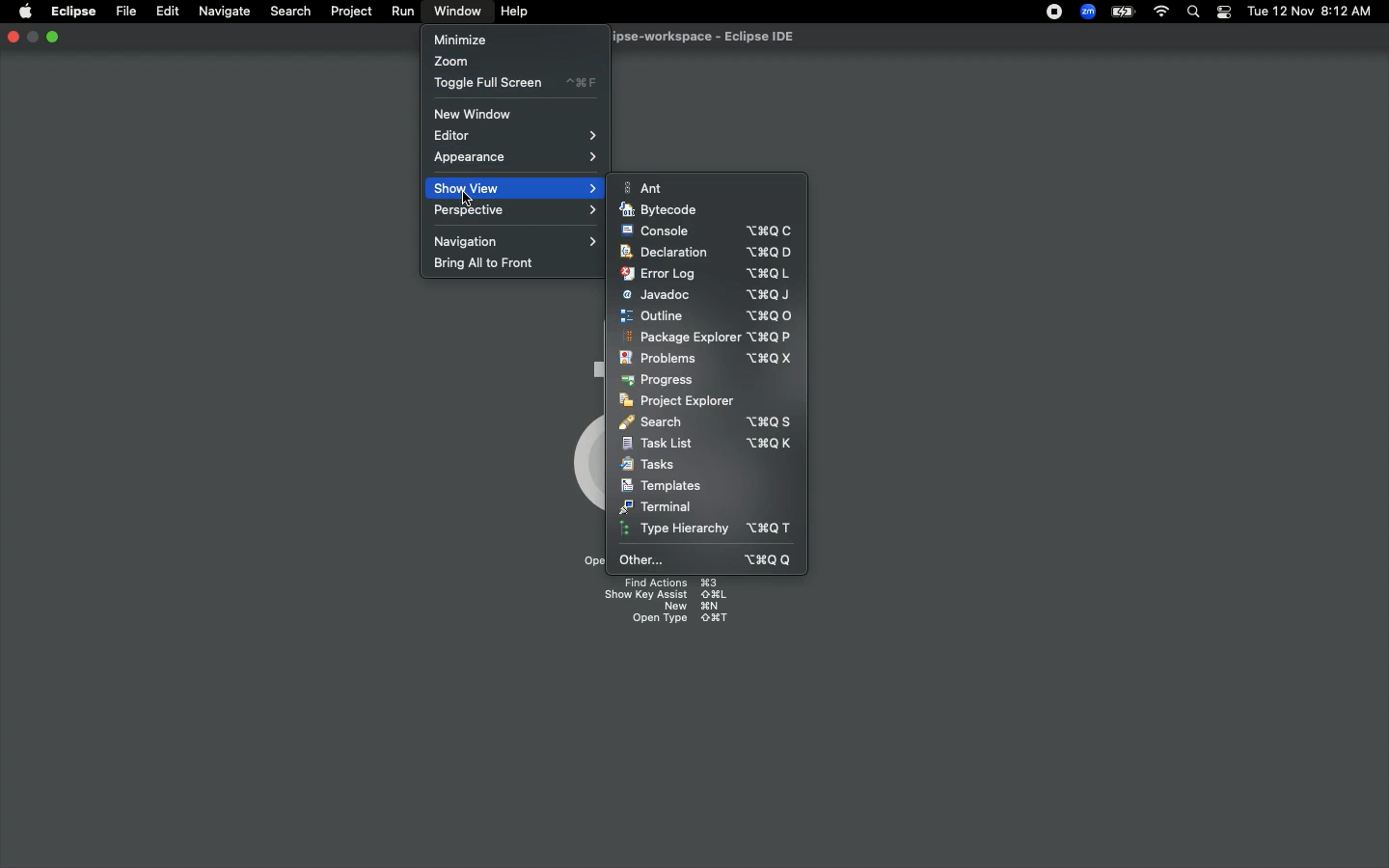 This screenshot has height=868, width=1389. What do you see at coordinates (222, 12) in the screenshot?
I see `Navigate` at bounding box center [222, 12].